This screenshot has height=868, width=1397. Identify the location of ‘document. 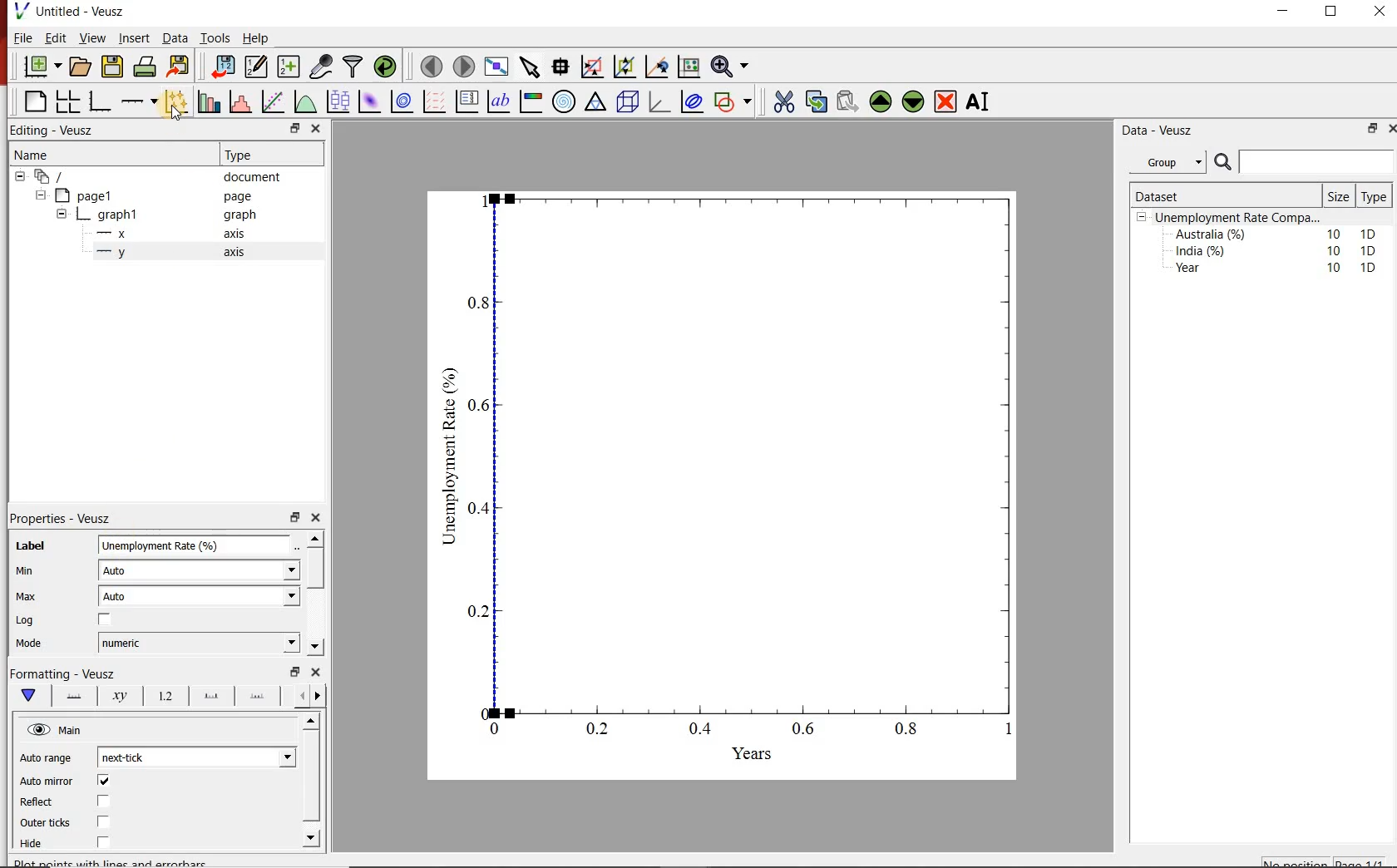
(155, 175).